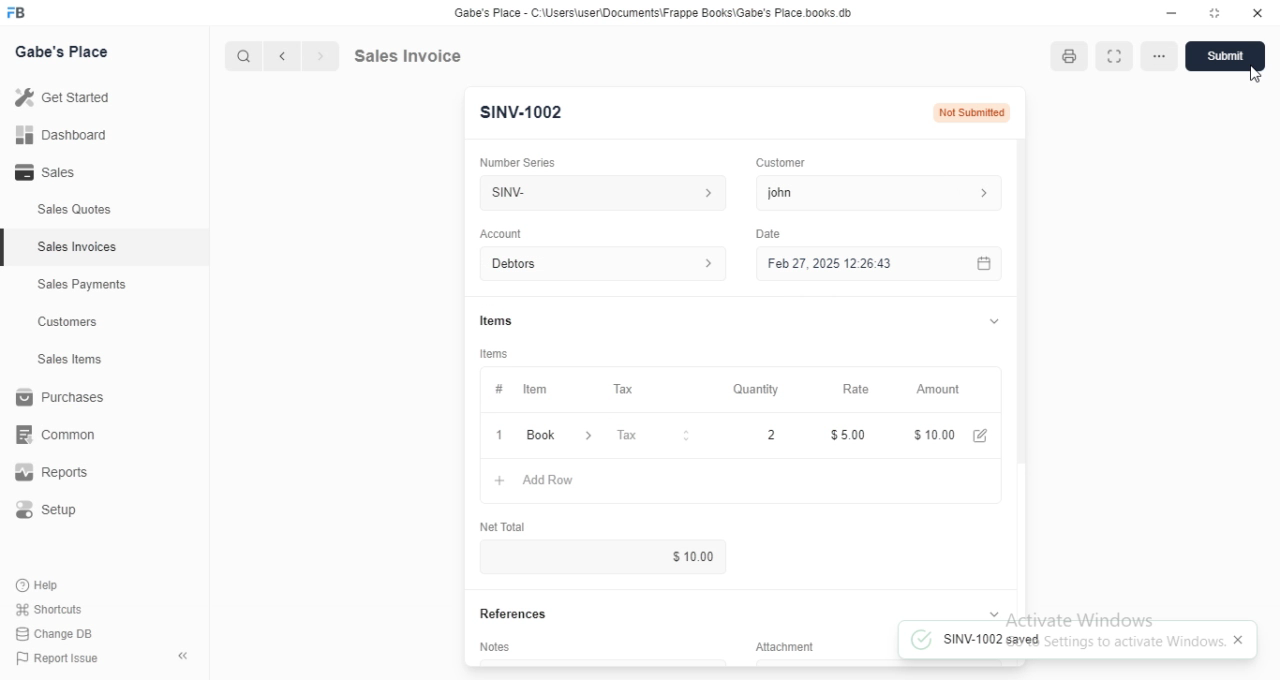 The width and height of the screenshot is (1280, 680). I want to click on Quantity, so click(756, 388).